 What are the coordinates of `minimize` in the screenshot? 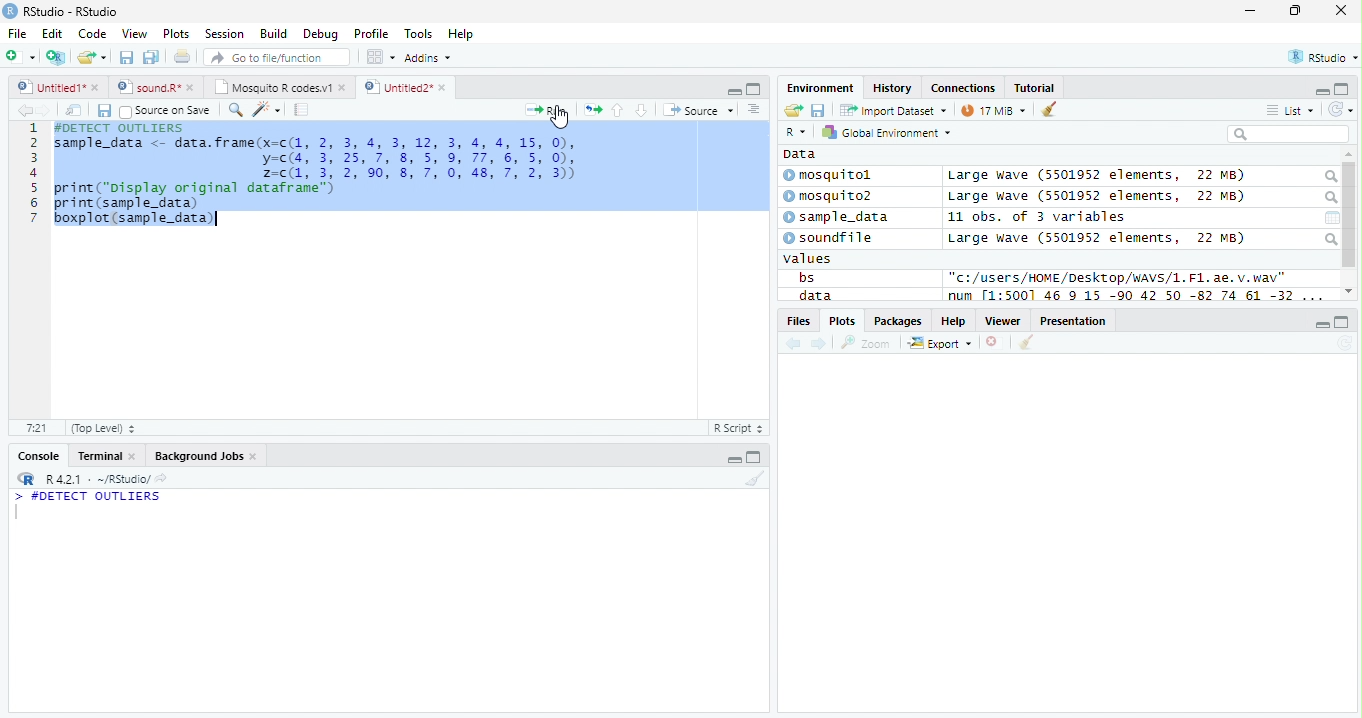 It's located at (1252, 10).